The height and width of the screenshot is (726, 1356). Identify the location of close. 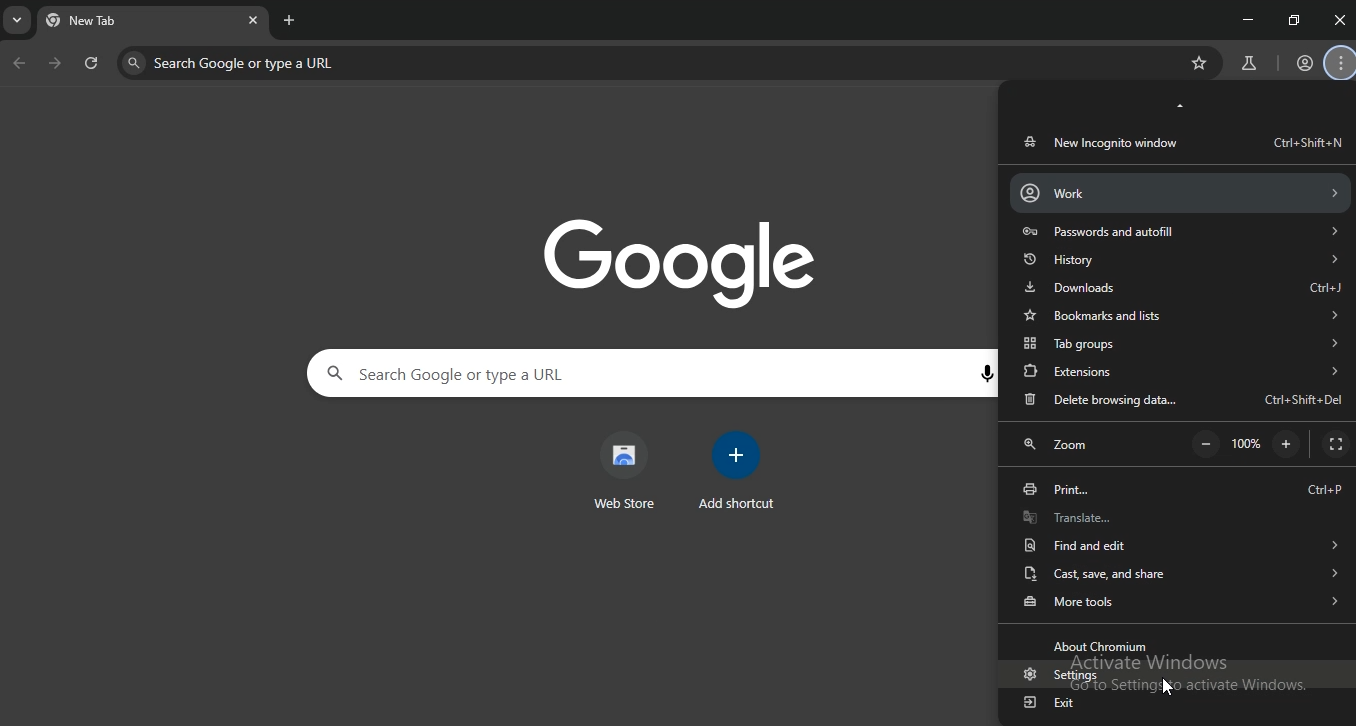
(253, 19).